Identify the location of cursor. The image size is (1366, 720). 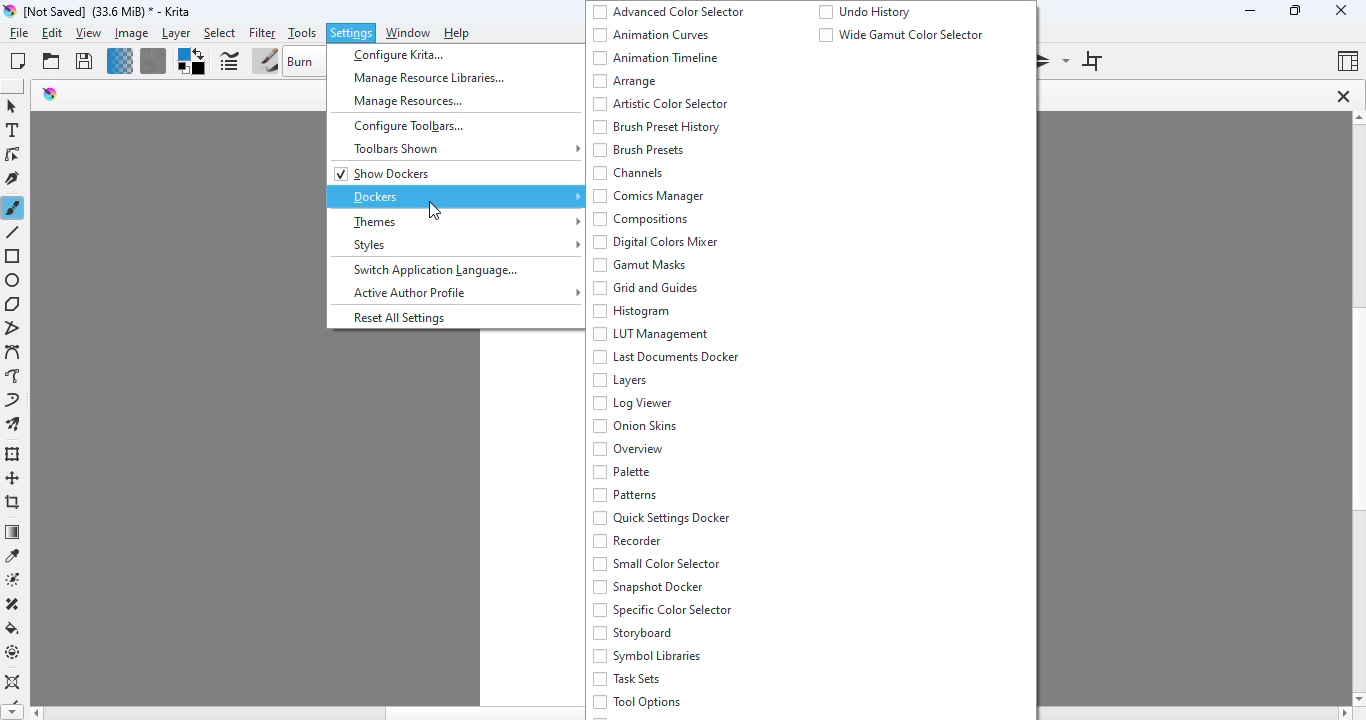
(435, 211).